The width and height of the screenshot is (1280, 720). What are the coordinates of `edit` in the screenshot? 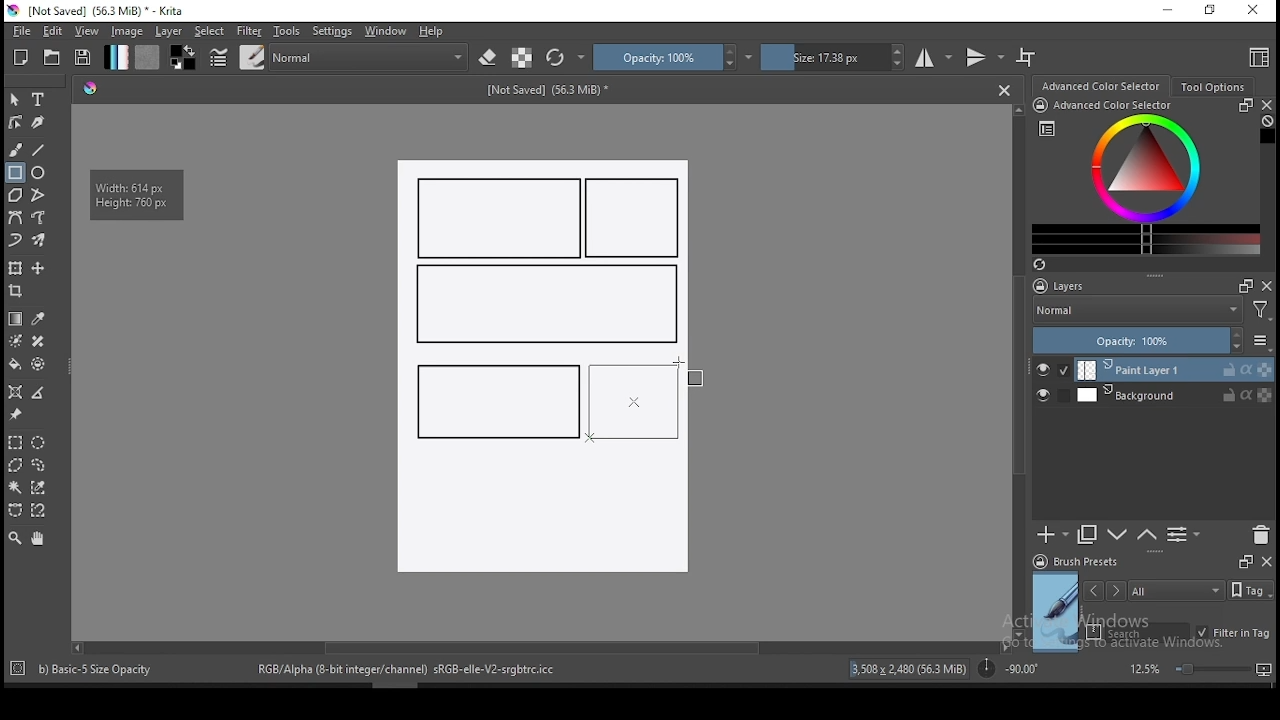 It's located at (52, 30).